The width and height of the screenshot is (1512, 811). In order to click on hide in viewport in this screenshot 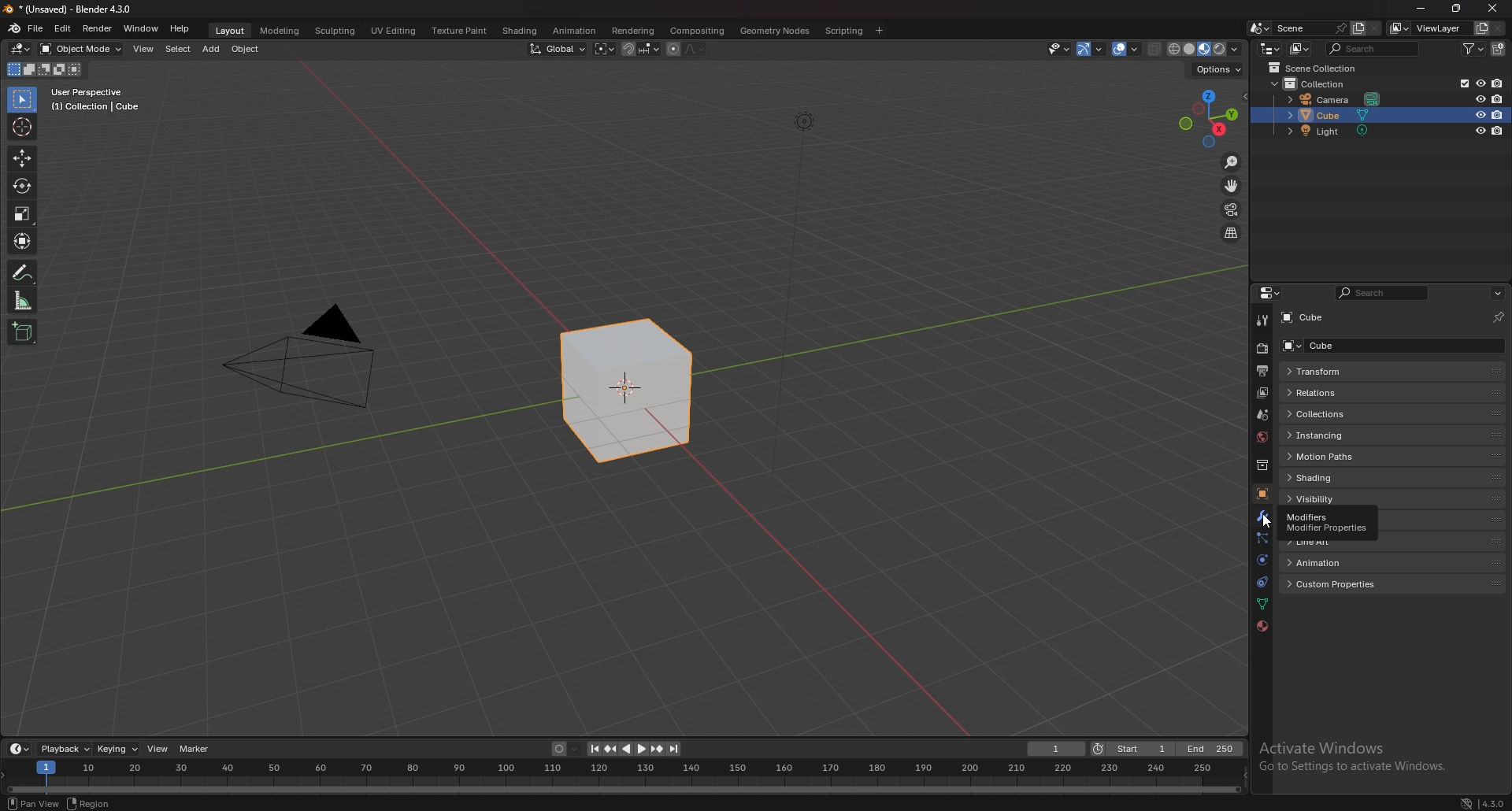, I will do `click(1480, 98)`.